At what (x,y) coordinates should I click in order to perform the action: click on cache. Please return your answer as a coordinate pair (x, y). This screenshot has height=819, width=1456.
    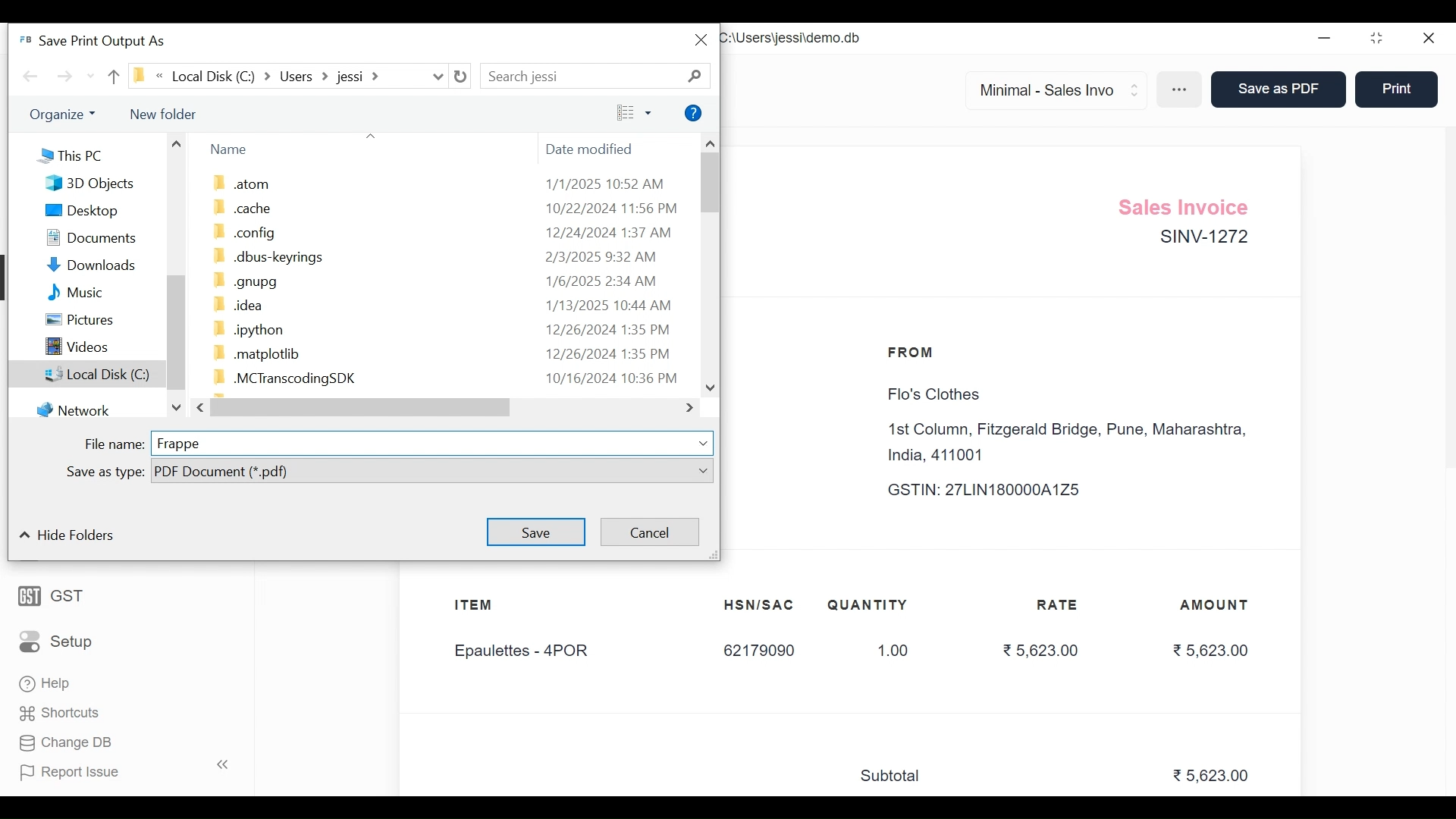
    Looking at the image, I should click on (241, 207).